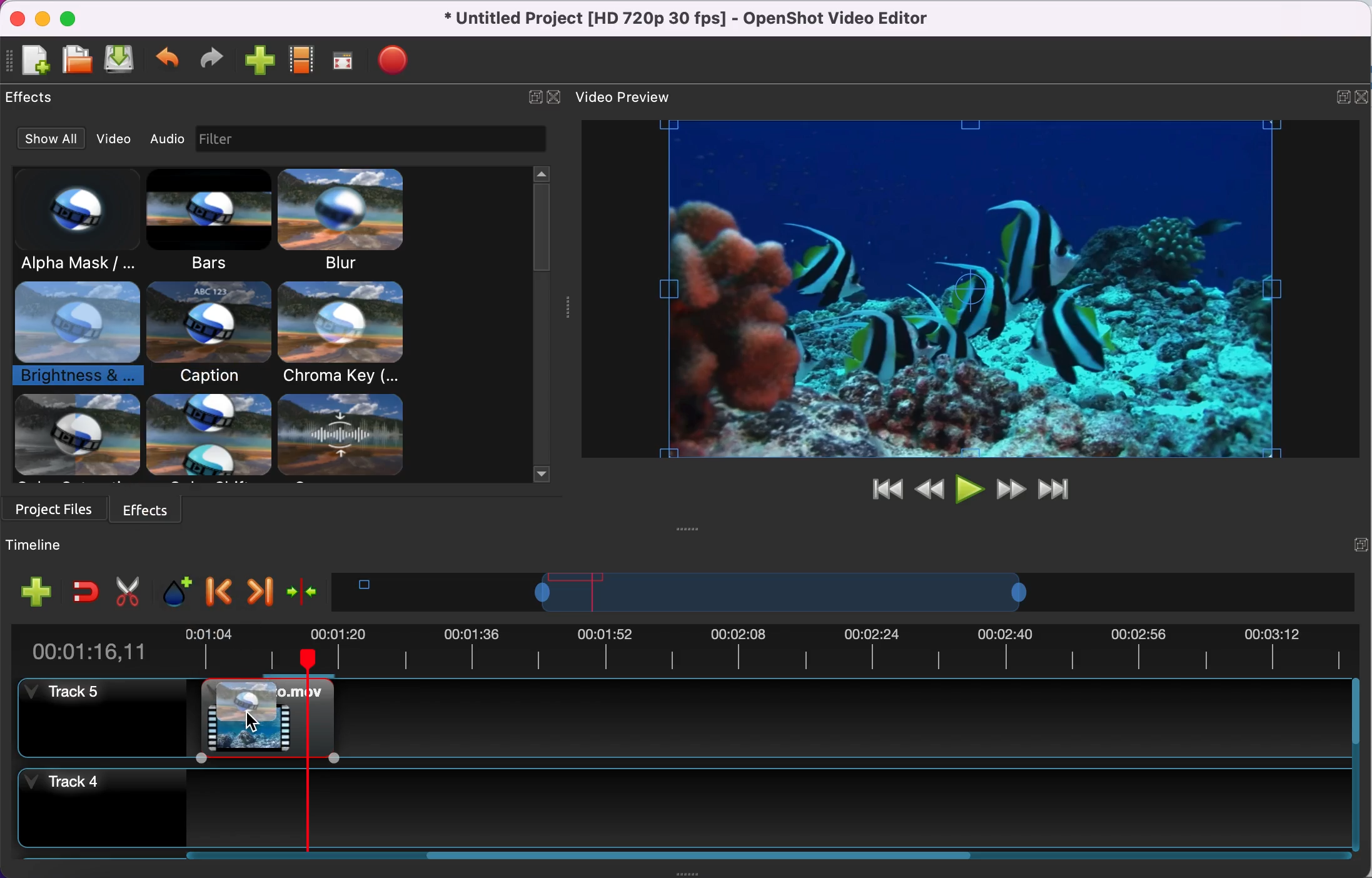  Describe the element at coordinates (109, 138) in the screenshot. I see `video` at that location.